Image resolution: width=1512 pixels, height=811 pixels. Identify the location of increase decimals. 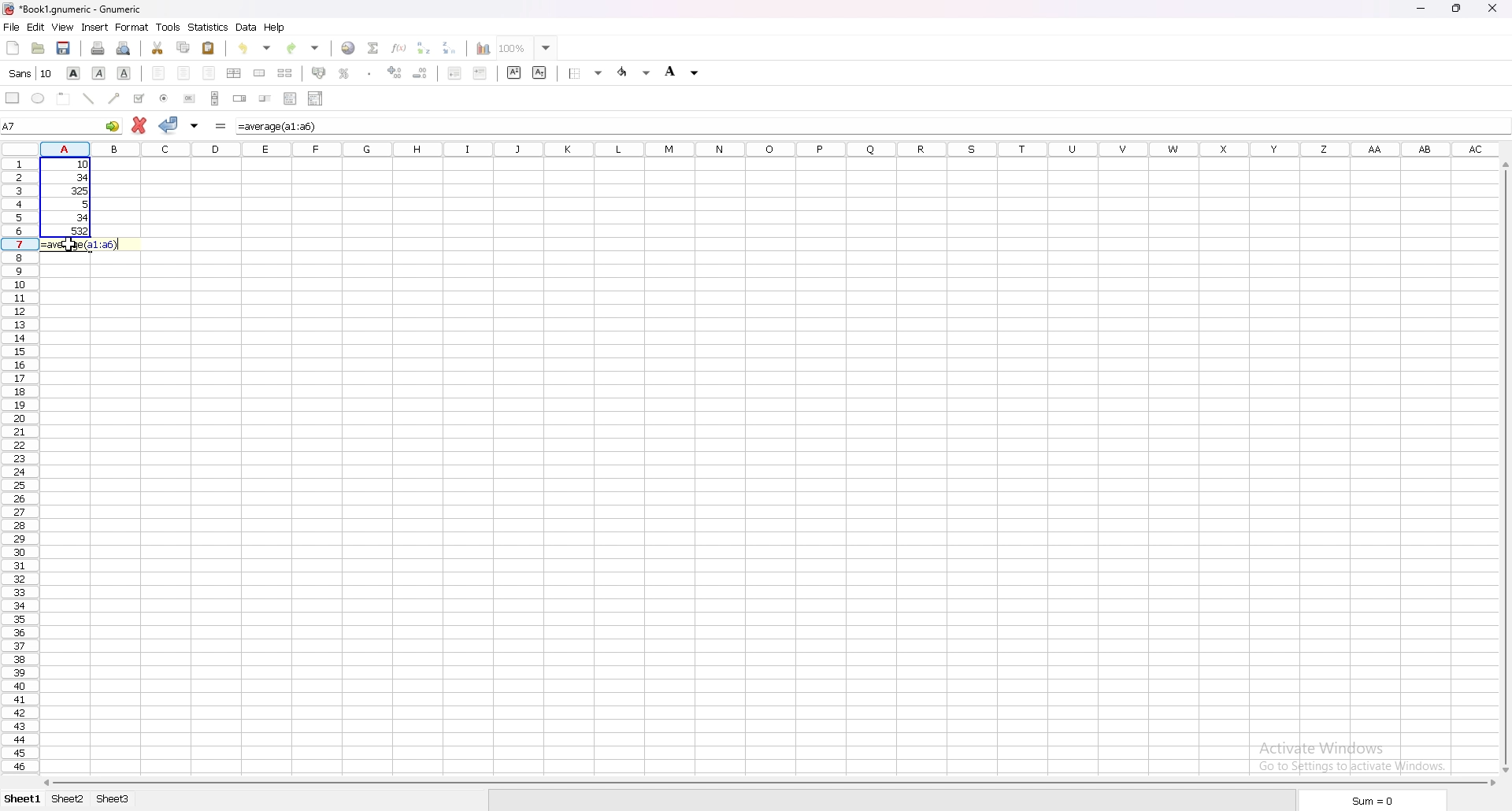
(395, 72).